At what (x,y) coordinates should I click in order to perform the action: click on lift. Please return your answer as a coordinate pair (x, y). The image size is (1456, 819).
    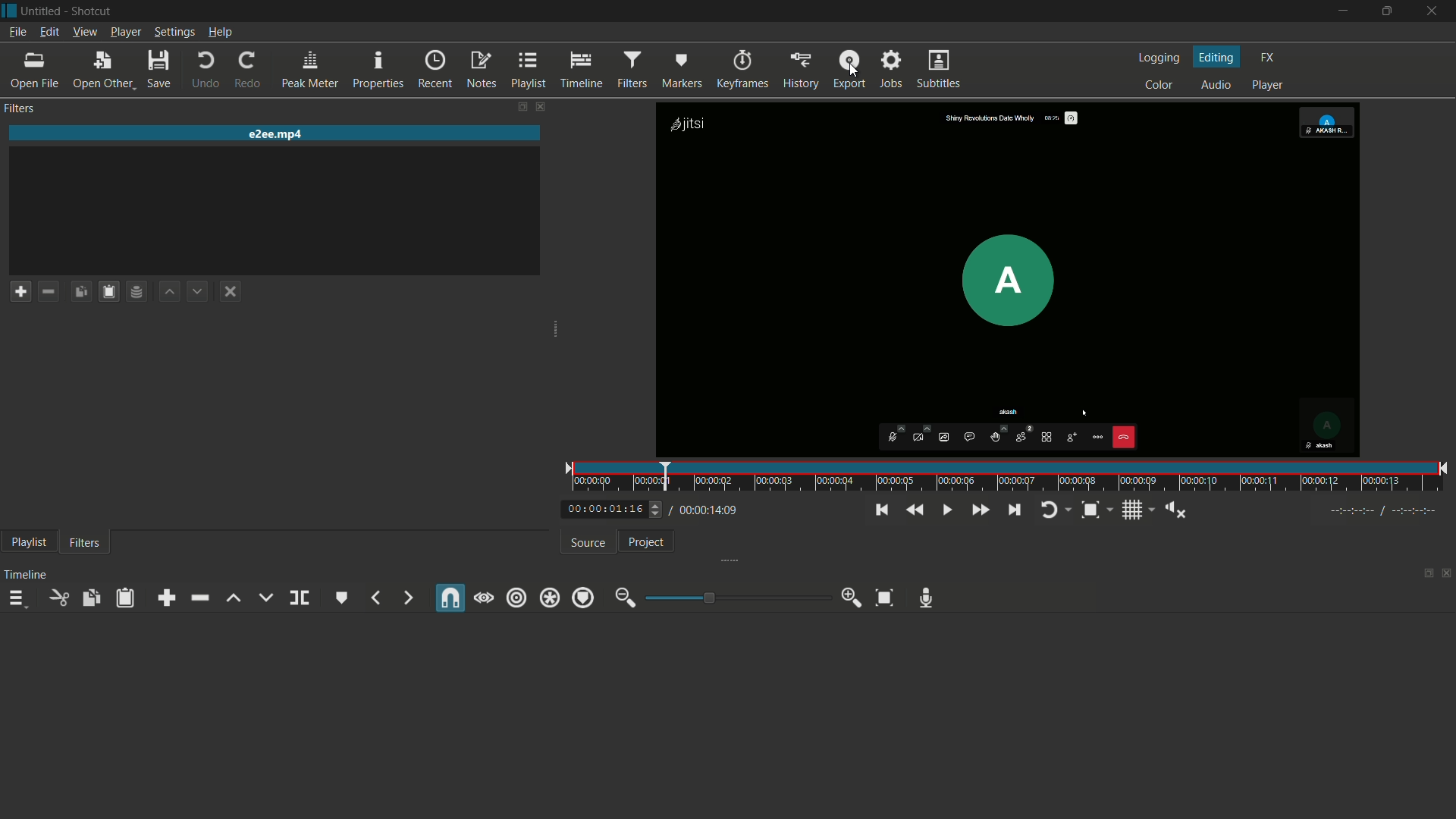
    Looking at the image, I should click on (234, 598).